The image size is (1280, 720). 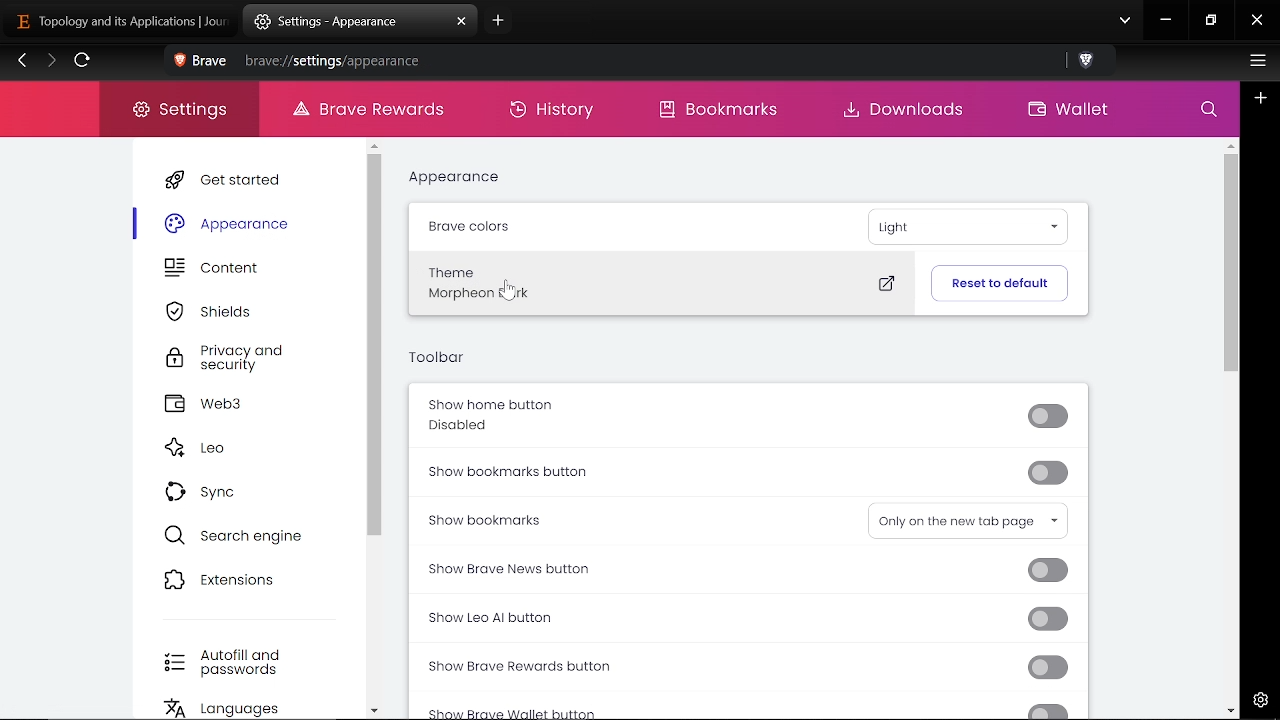 What do you see at coordinates (752, 472) in the screenshot?
I see `Show bookmarks button` at bounding box center [752, 472].